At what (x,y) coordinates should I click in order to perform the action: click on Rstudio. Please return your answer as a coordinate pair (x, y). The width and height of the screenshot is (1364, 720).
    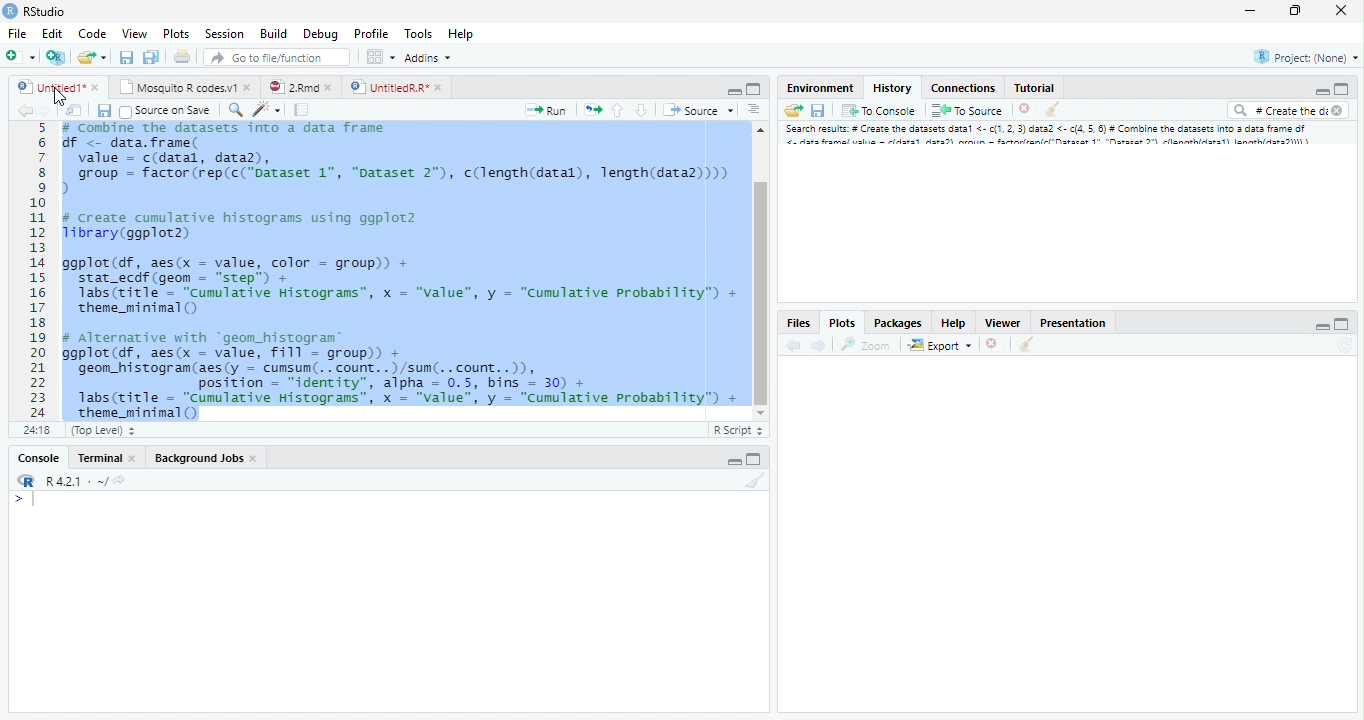
    Looking at the image, I should click on (34, 10).